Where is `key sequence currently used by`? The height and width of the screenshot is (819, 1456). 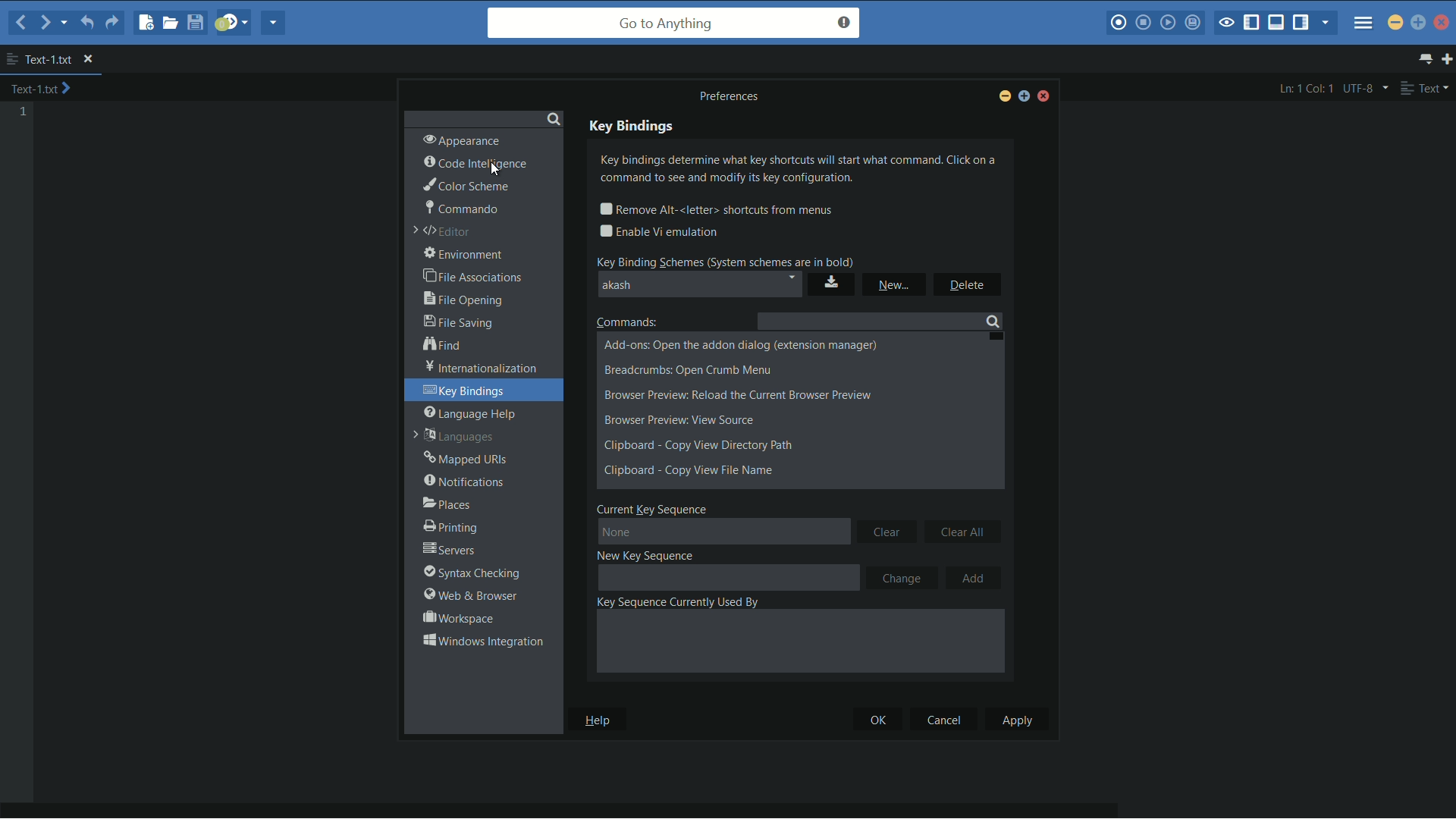
key sequence currently used by is located at coordinates (676, 602).